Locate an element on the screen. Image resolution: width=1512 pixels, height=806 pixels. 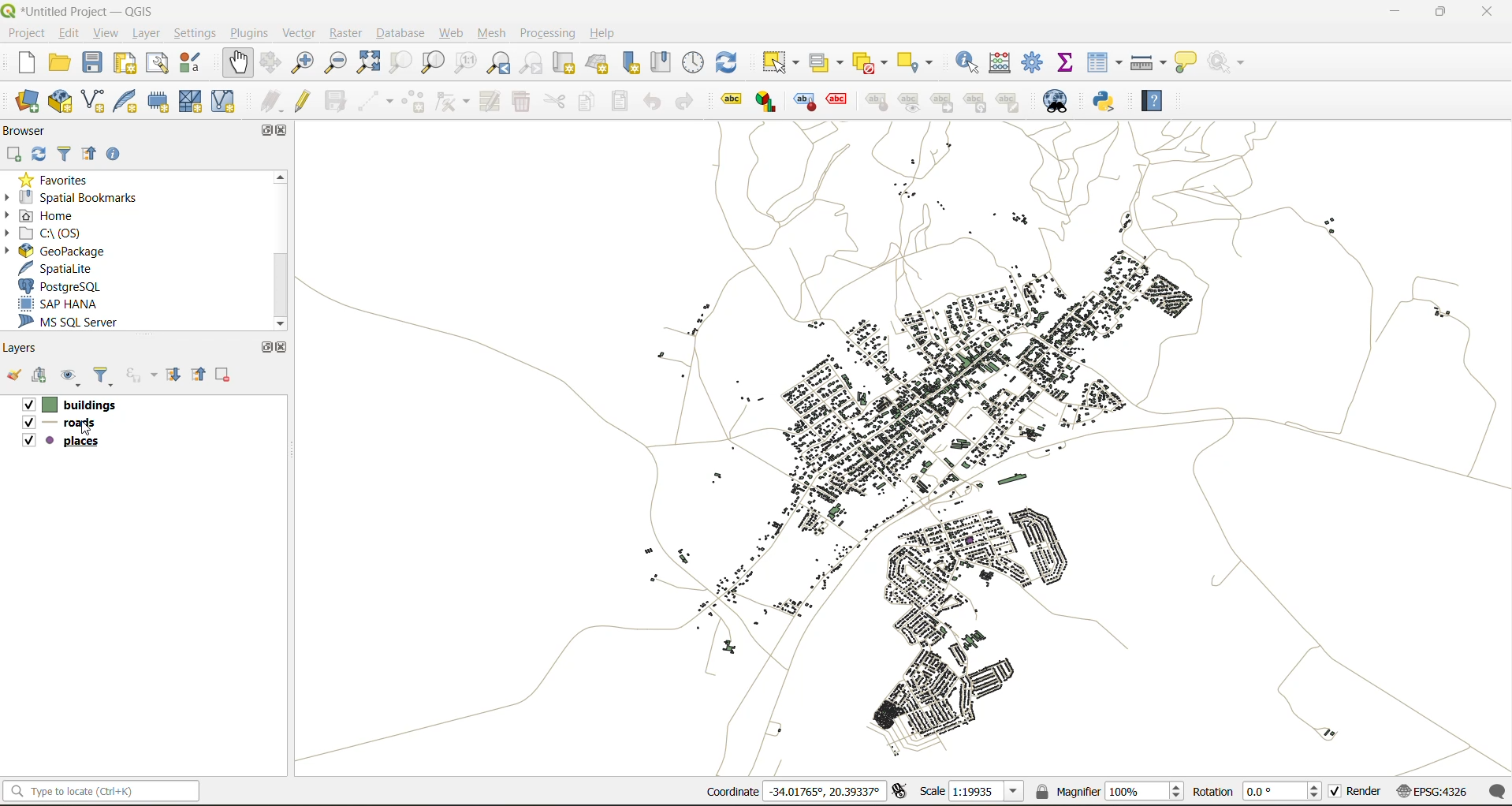
remove is located at coordinates (226, 375).